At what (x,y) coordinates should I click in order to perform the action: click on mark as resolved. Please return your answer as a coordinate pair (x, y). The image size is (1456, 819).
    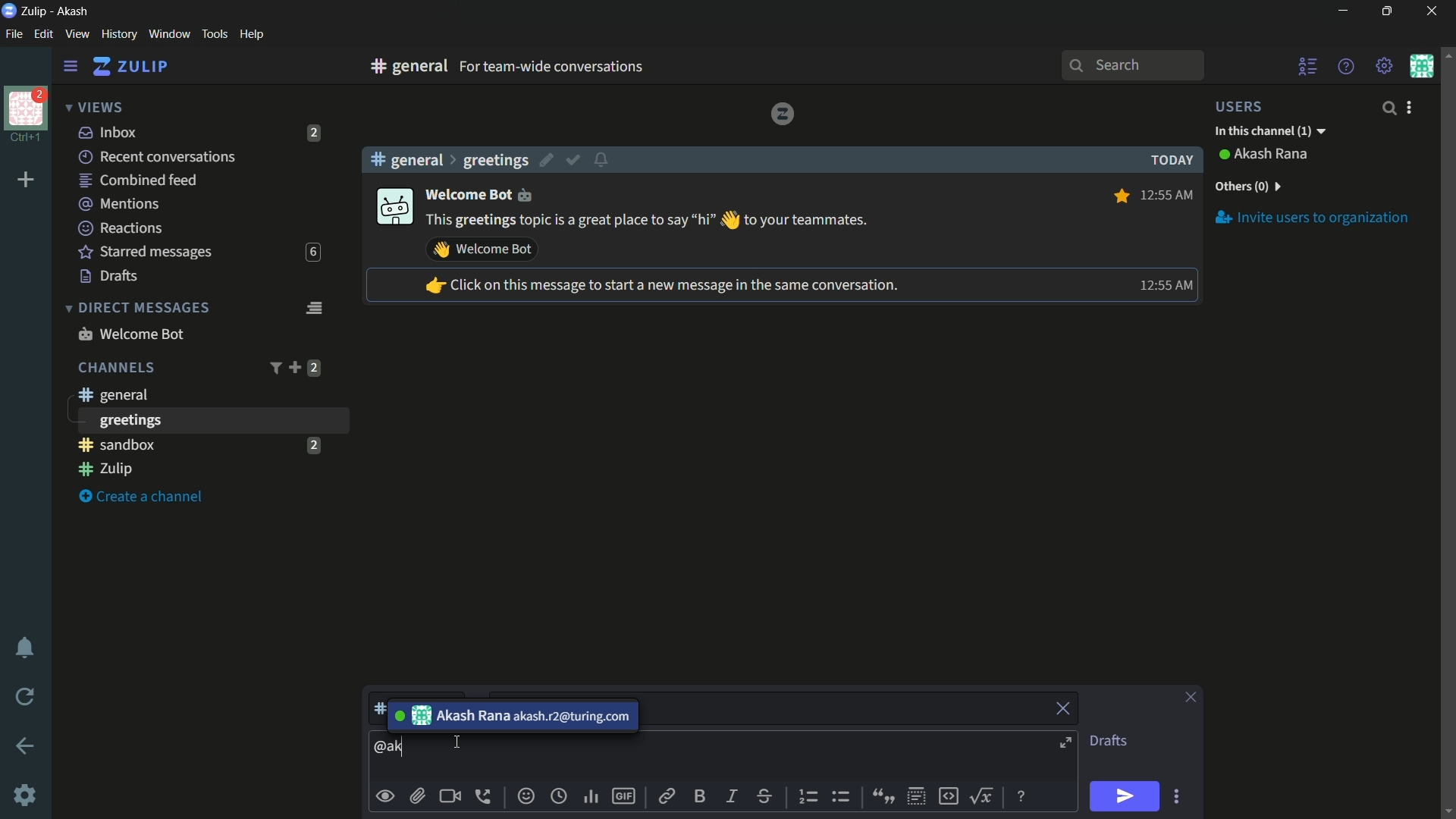
    Looking at the image, I should click on (575, 161).